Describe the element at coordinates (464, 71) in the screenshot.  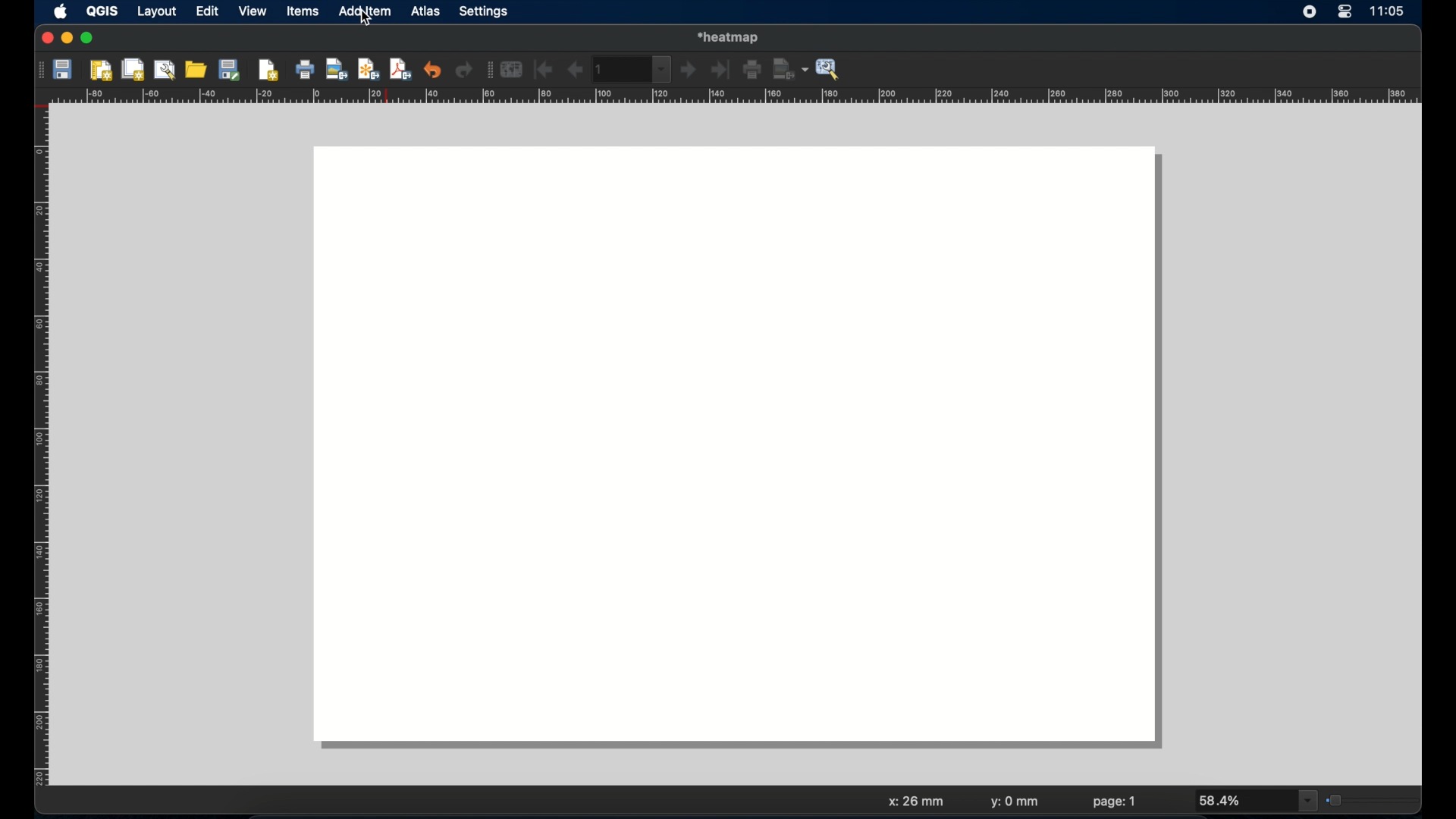
I see `redo ` at that location.